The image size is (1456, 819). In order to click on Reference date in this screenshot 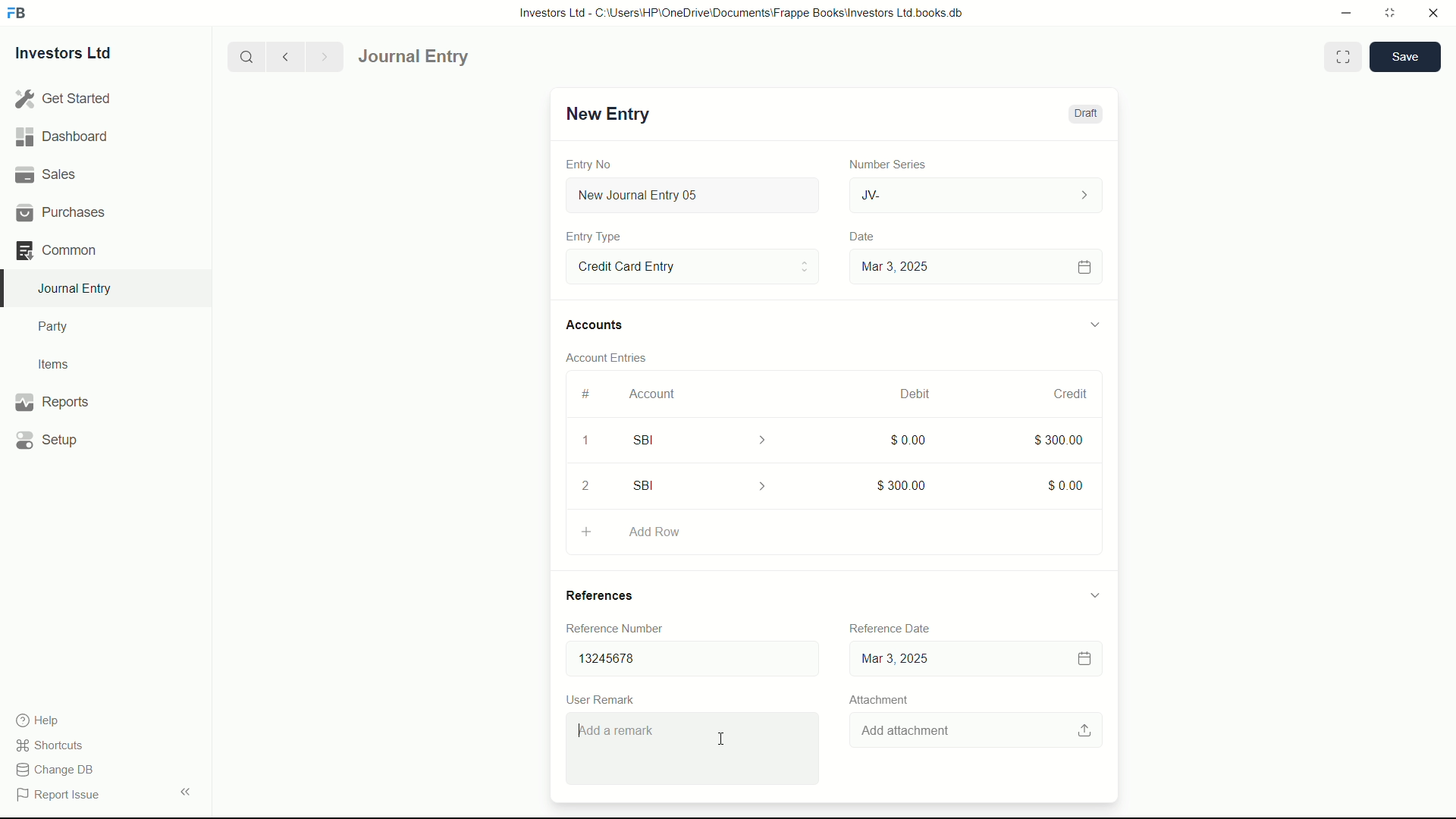, I will do `click(887, 626)`.